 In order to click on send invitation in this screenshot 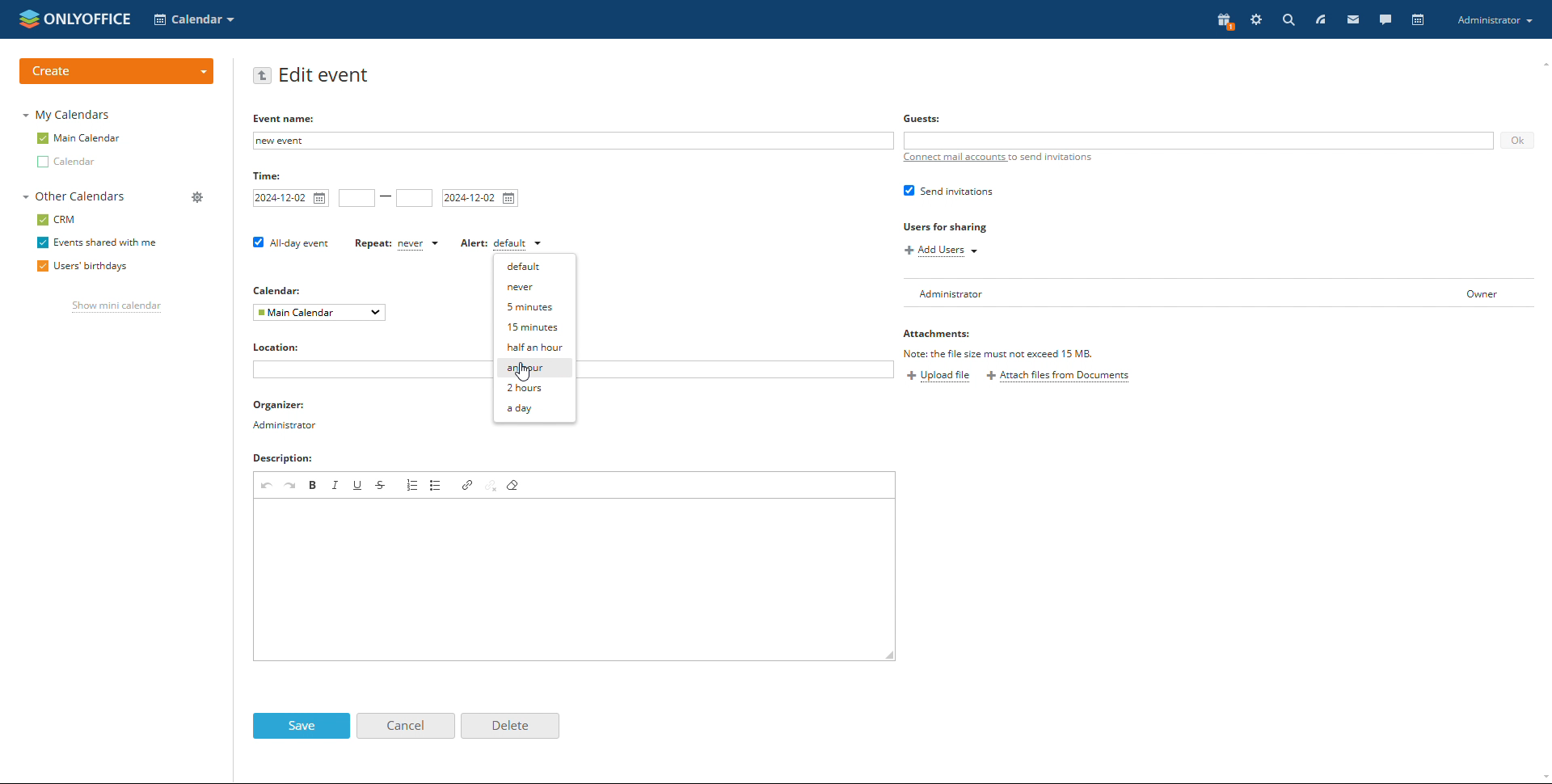, I will do `click(948, 192)`.